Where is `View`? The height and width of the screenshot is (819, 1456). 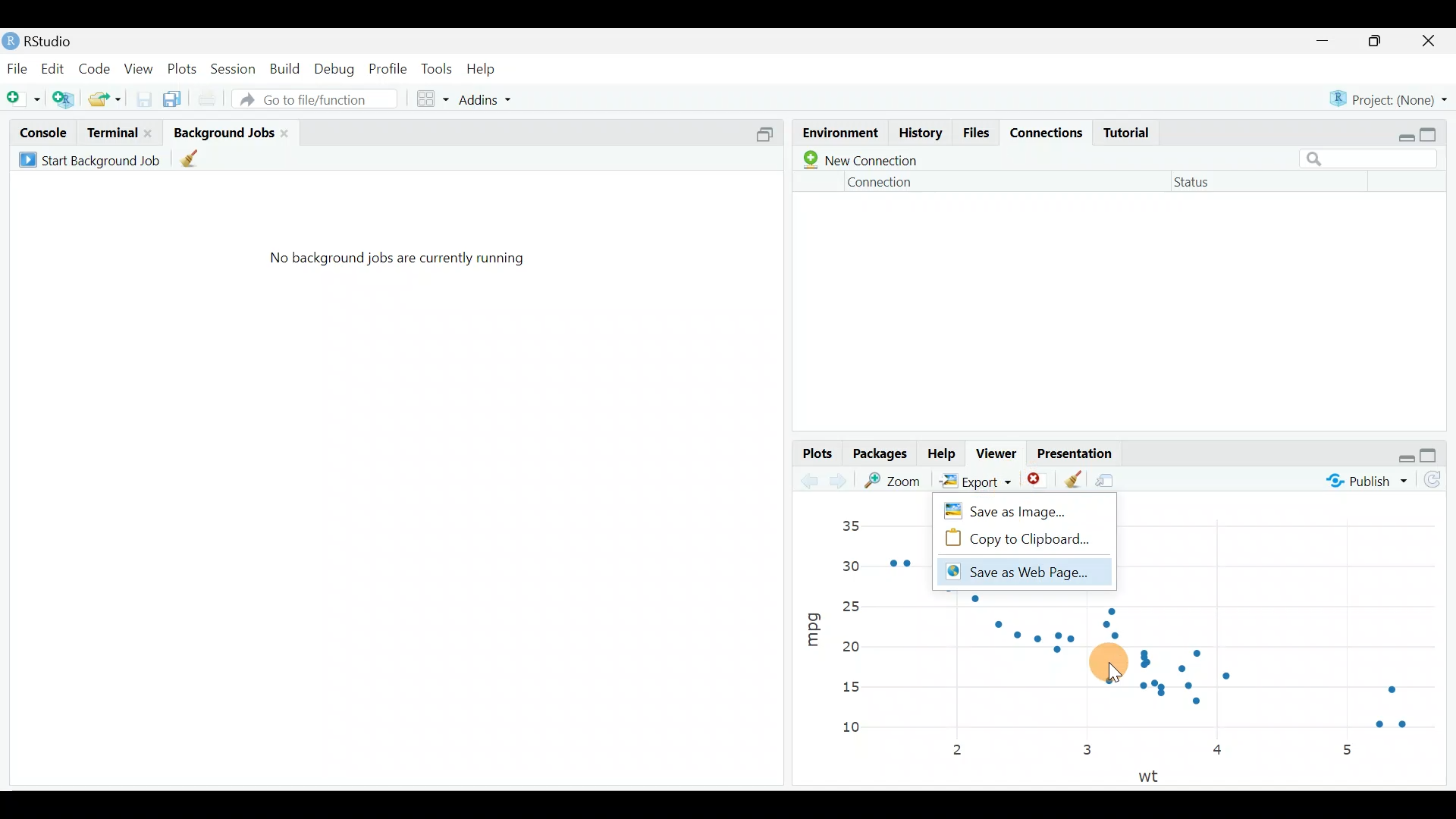
View is located at coordinates (138, 69).